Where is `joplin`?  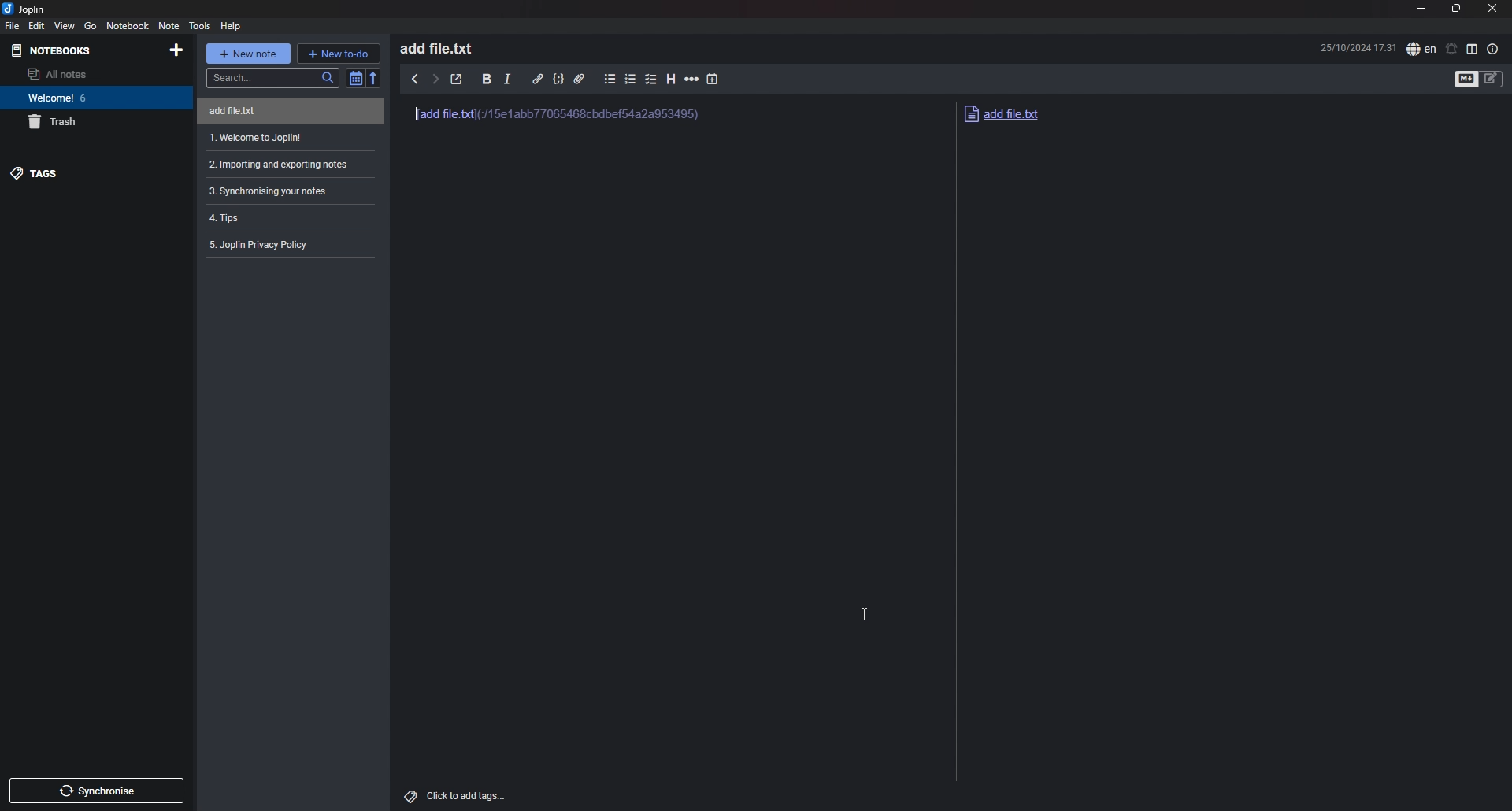 joplin is located at coordinates (24, 8).